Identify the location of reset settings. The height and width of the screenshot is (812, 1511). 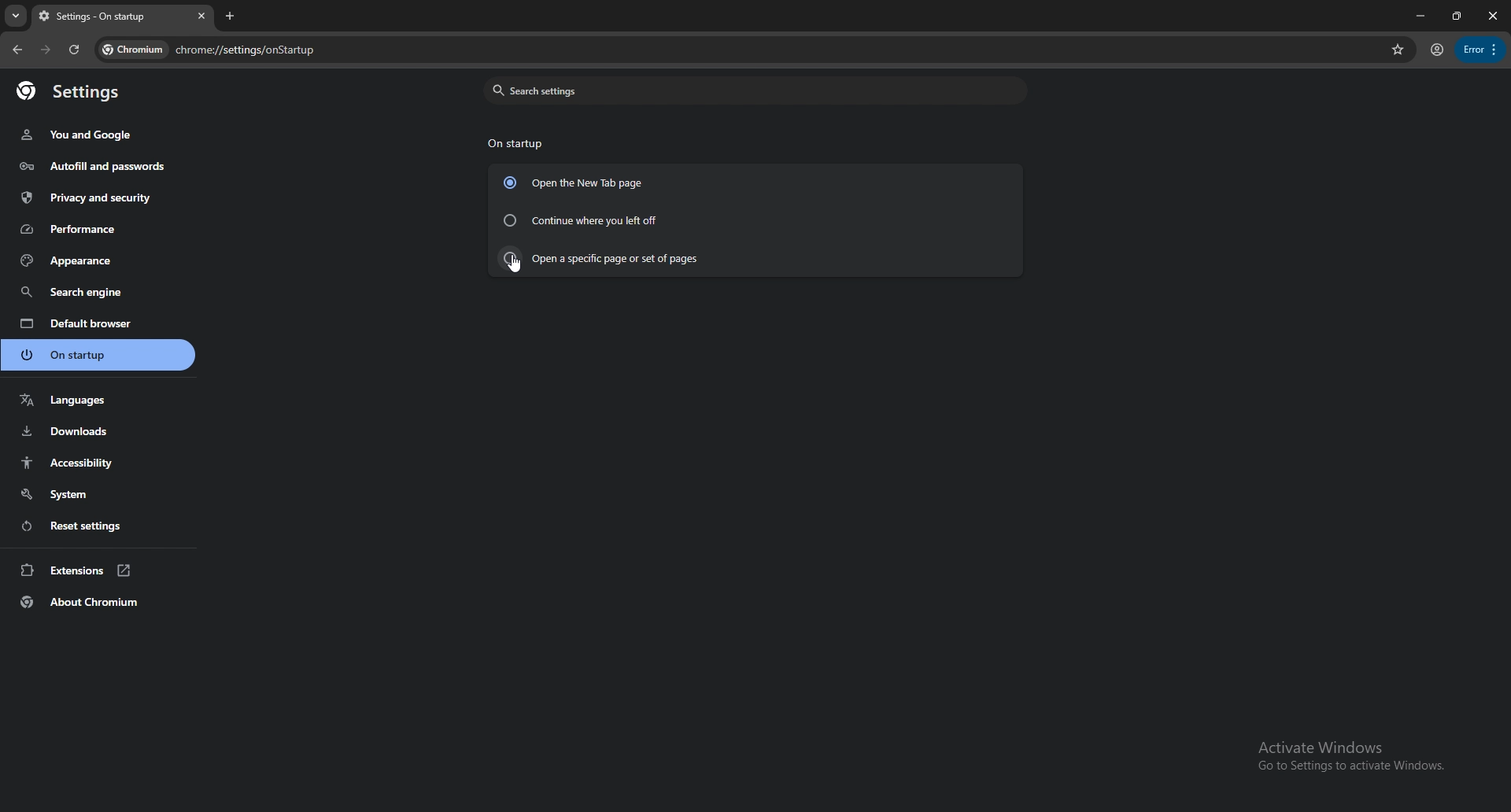
(98, 525).